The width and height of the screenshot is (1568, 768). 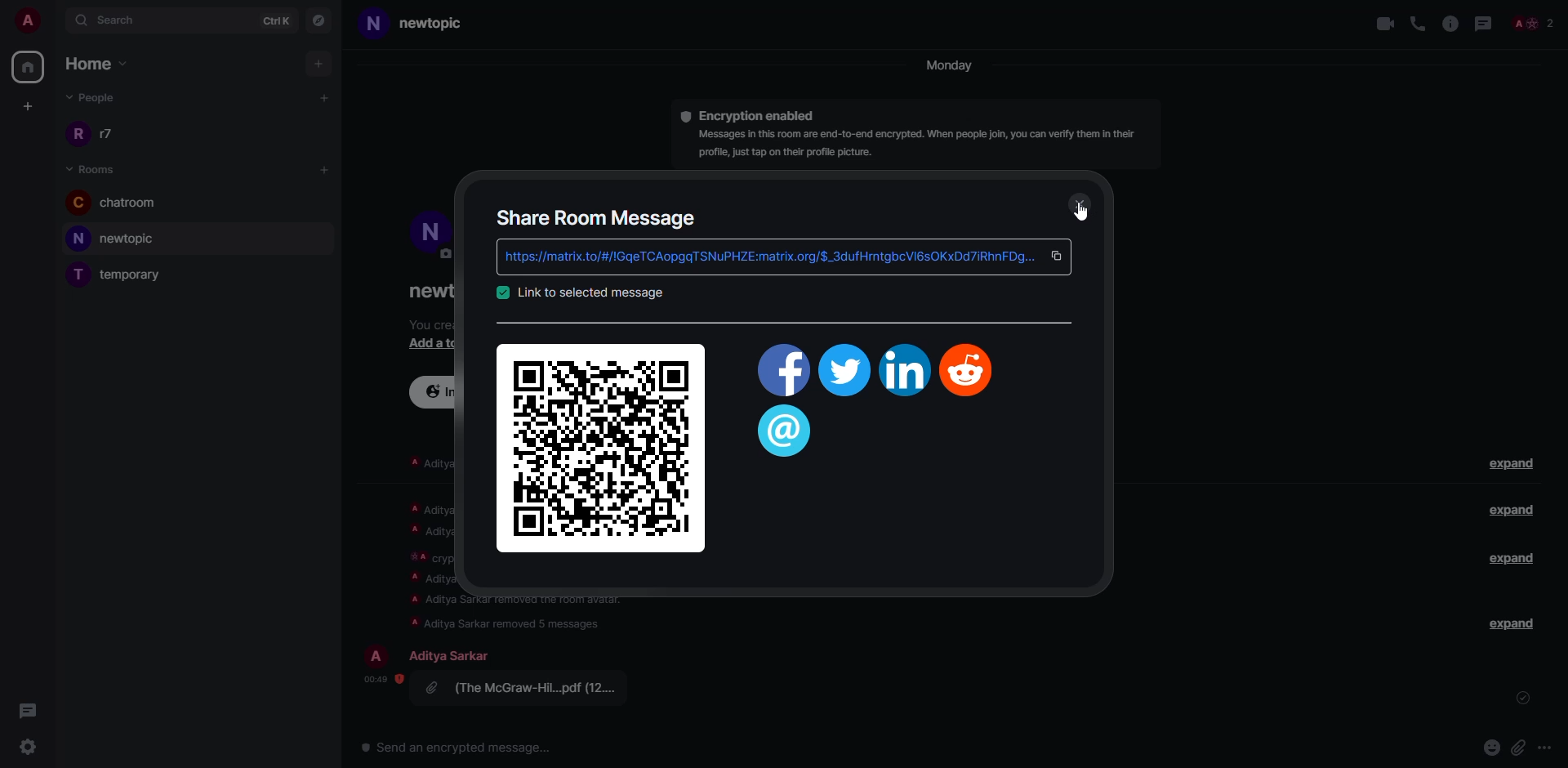 What do you see at coordinates (603, 446) in the screenshot?
I see `qr` at bounding box center [603, 446].